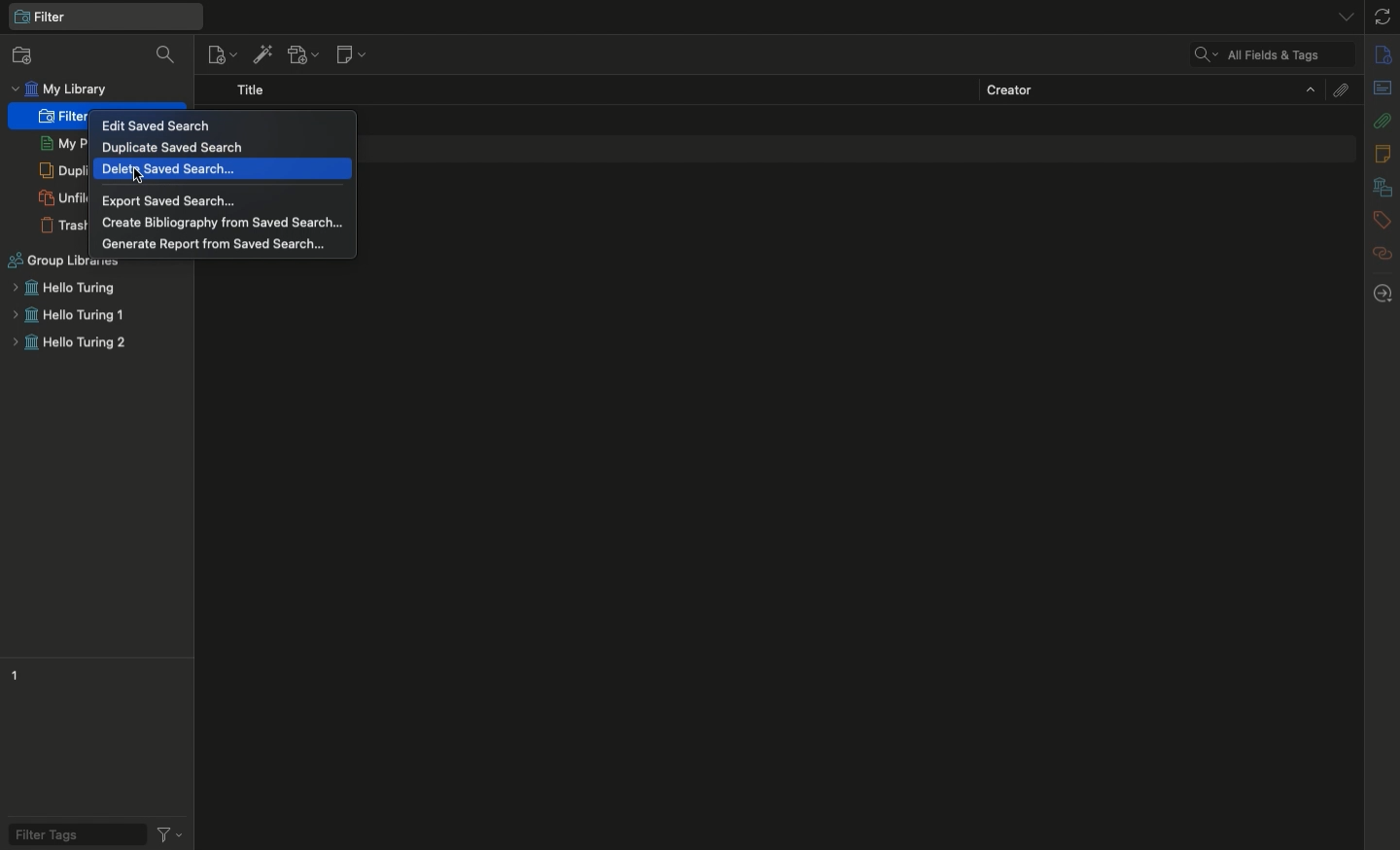  I want to click on Actions, so click(168, 832).